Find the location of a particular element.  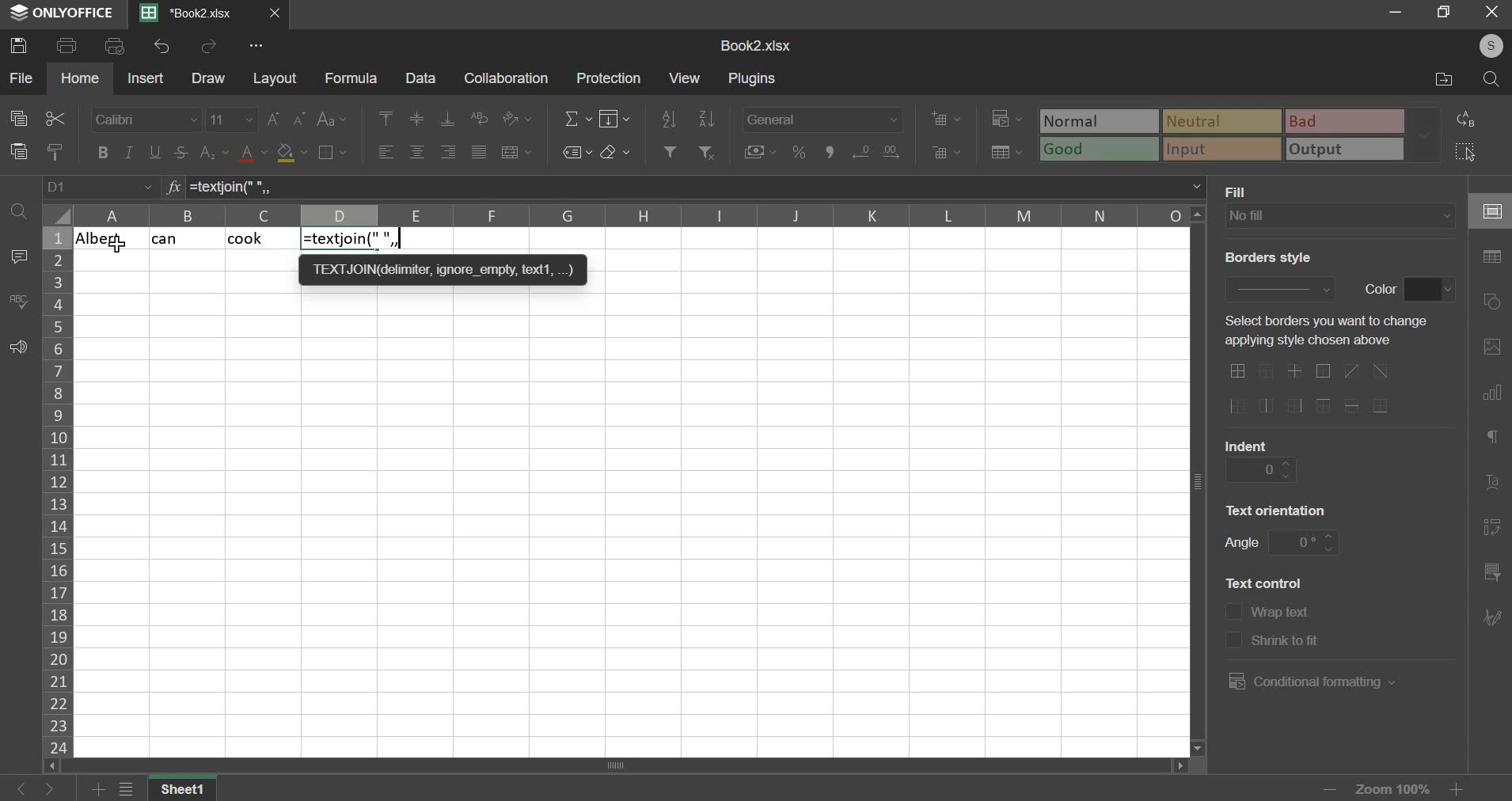

user's account is located at coordinates (1482, 44).